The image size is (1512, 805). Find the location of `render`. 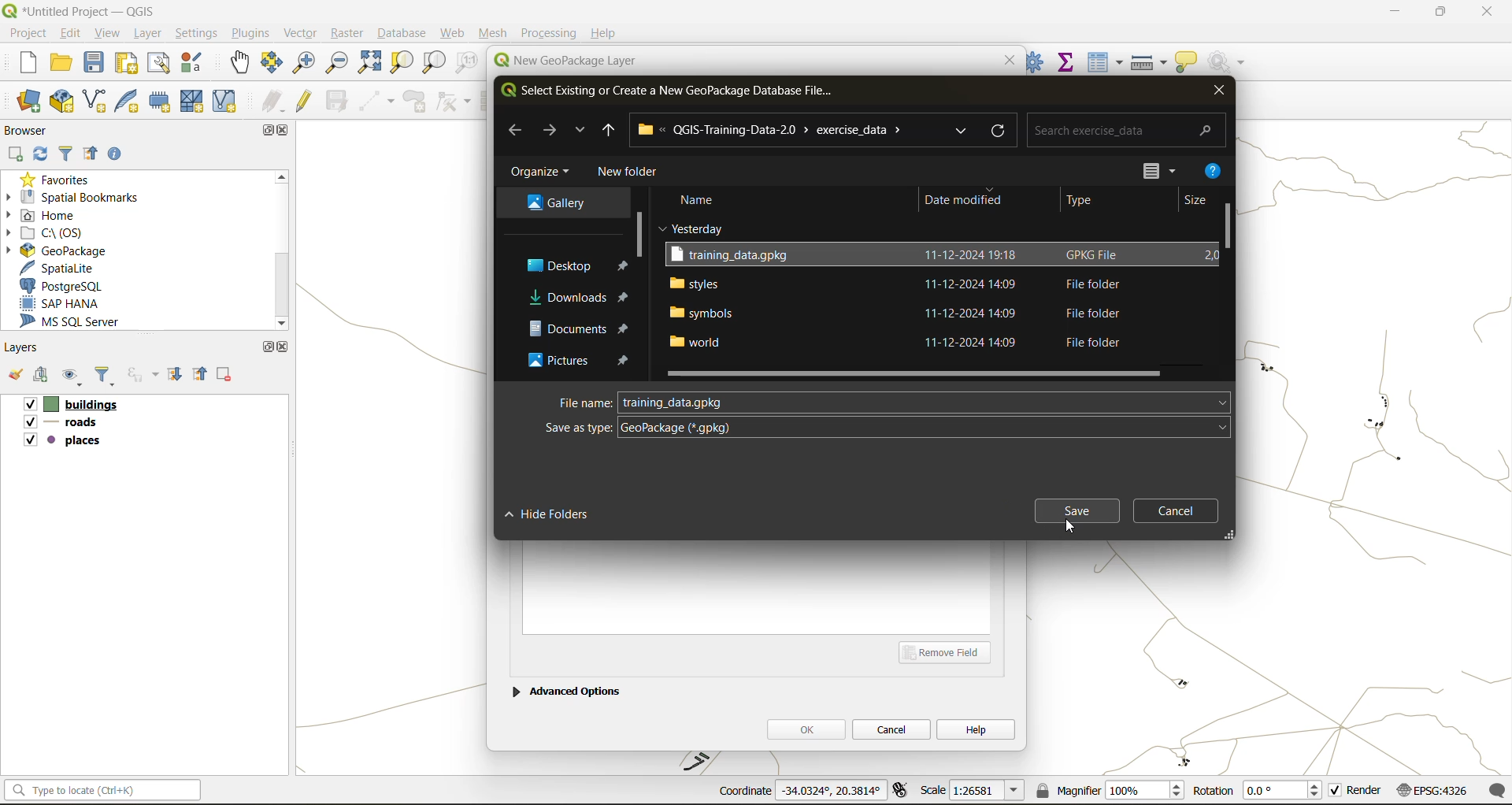

render is located at coordinates (1357, 793).